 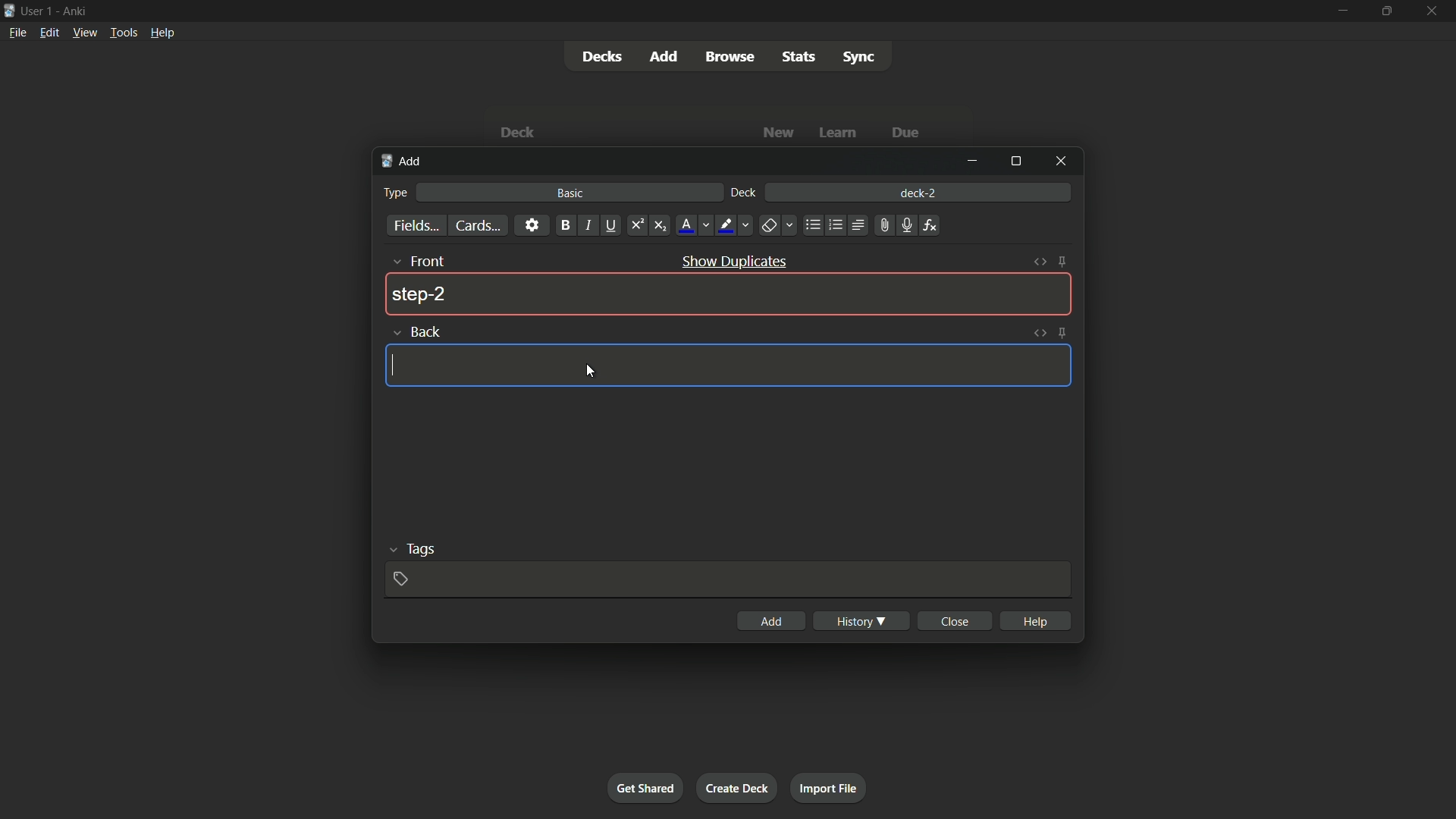 I want to click on tools menu, so click(x=124, y=33).